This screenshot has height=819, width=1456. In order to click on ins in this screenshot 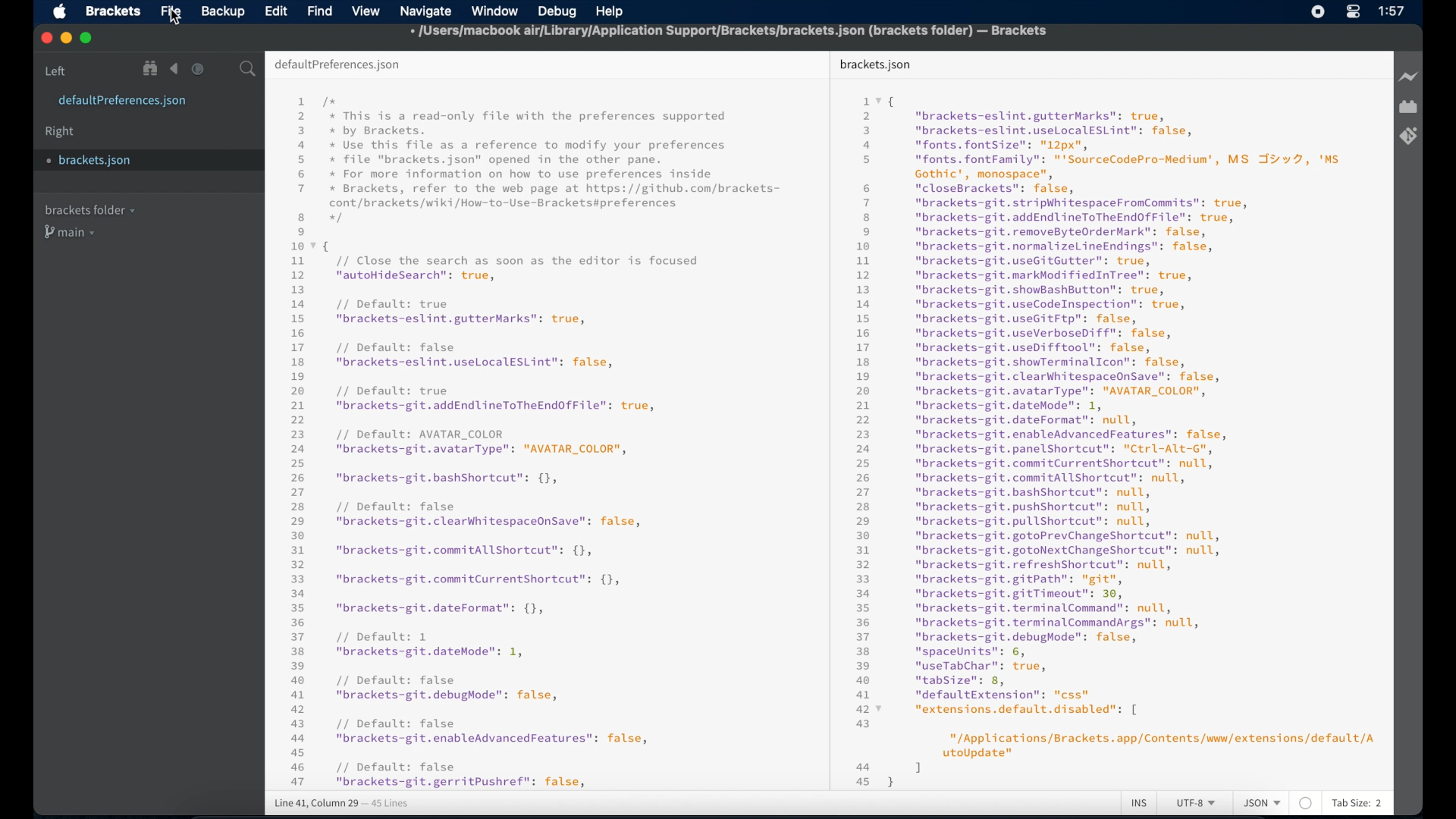, I will do `click(1140, 804)`.